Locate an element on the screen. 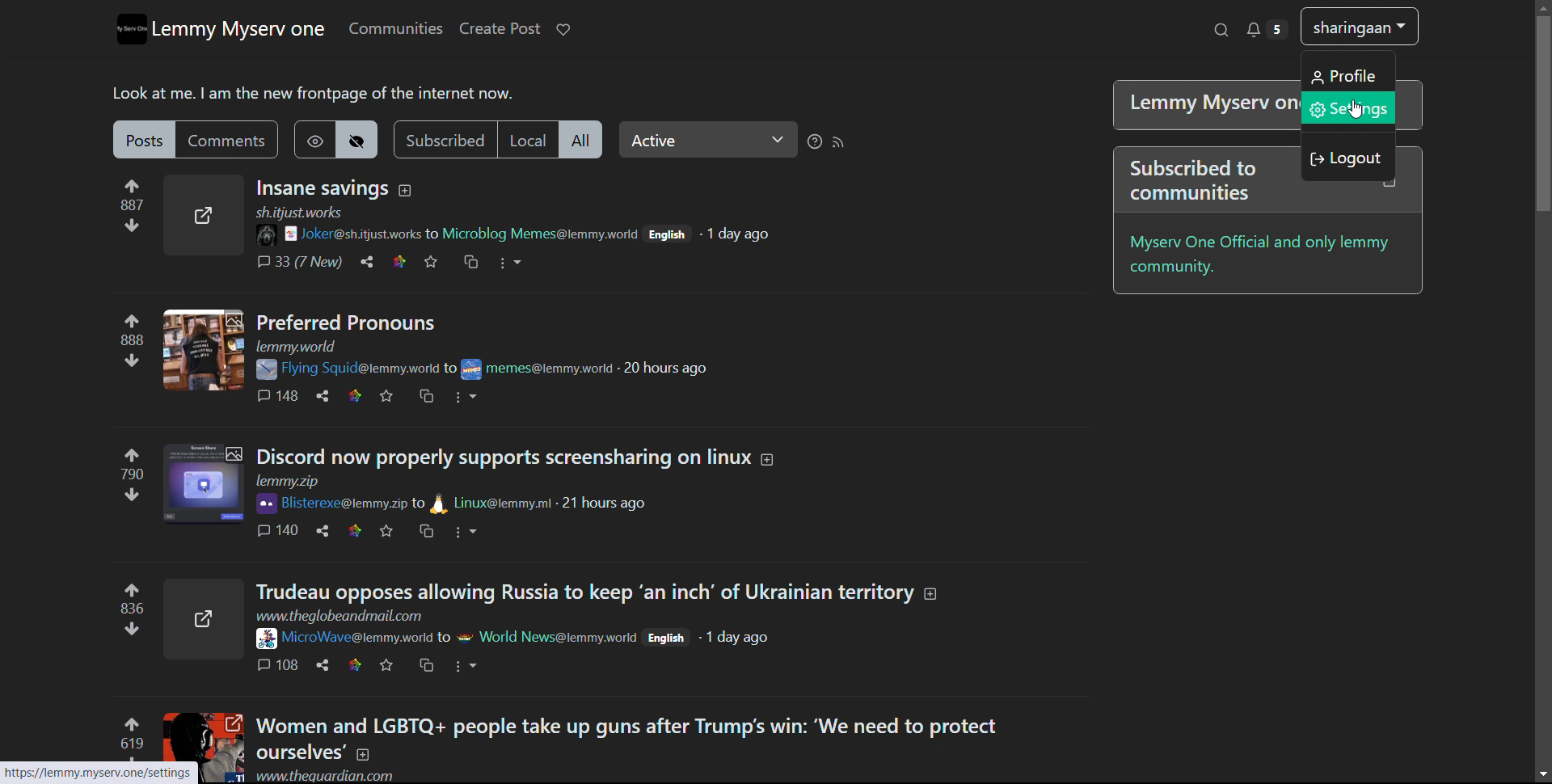 This screenshot has width=1552, height=784. comments 33 (7 New) is located at coordinates (298, 262).